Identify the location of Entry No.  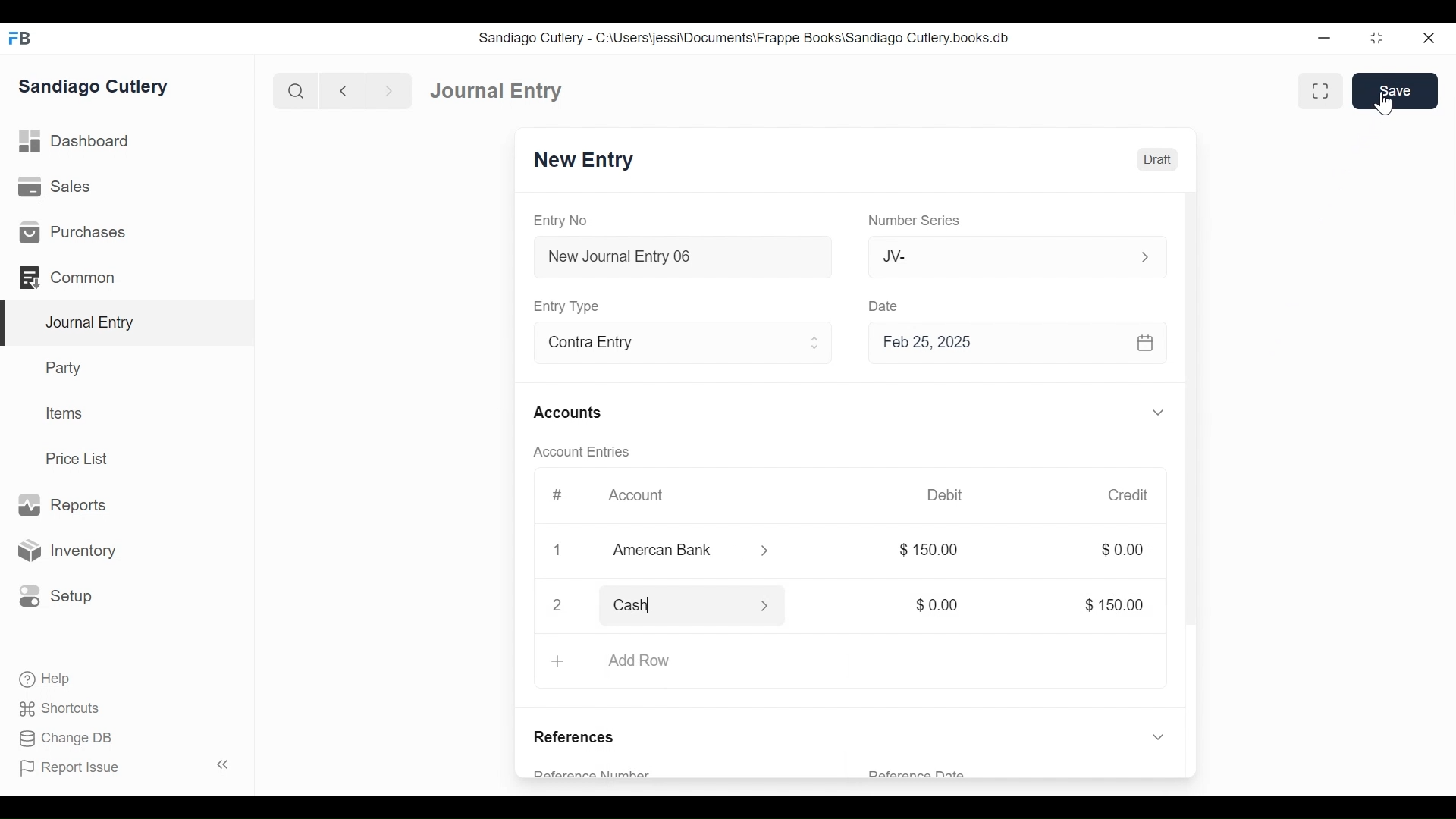
(561, 221).